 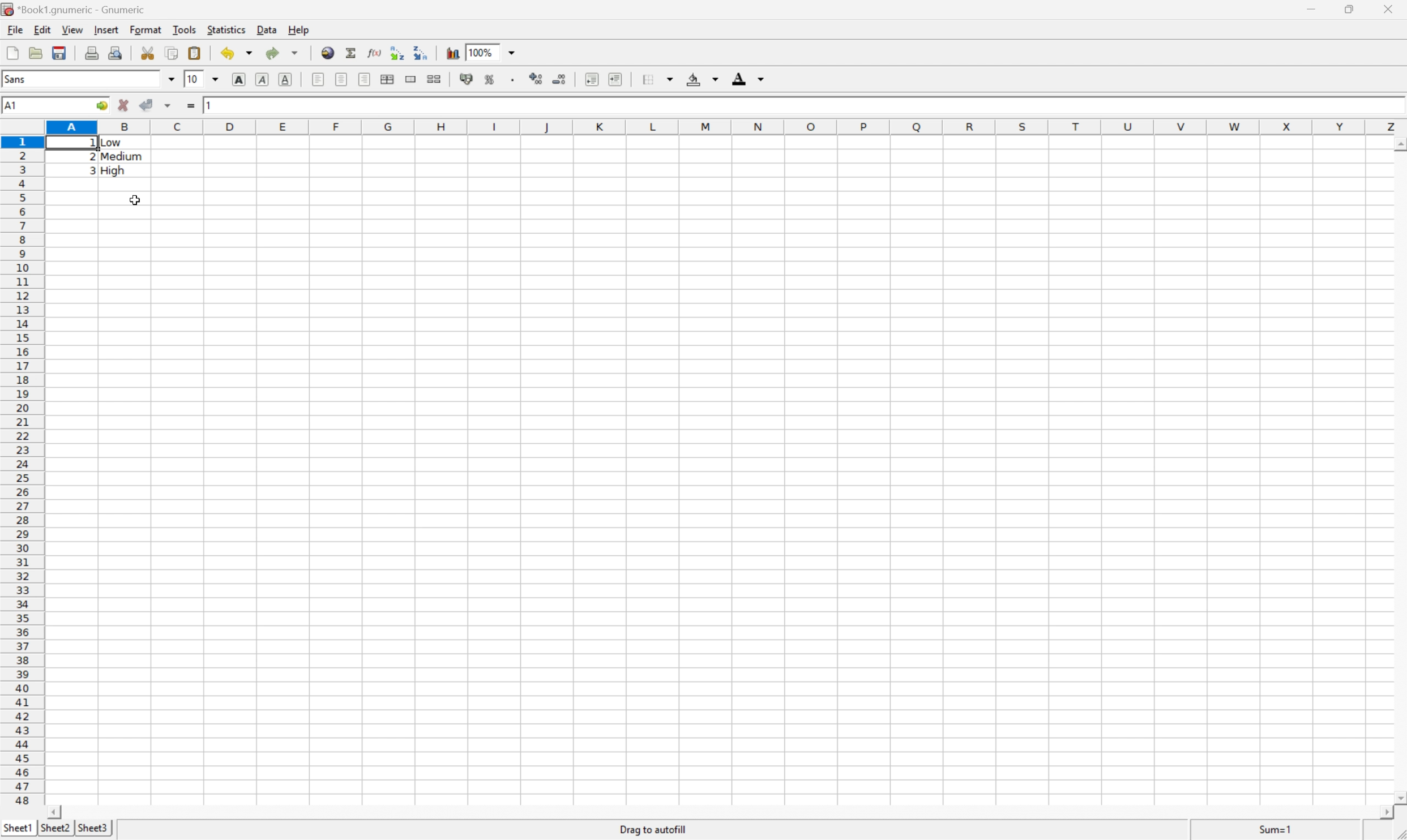 I want to click on Sum in current cells, so click(x=352, y=52).